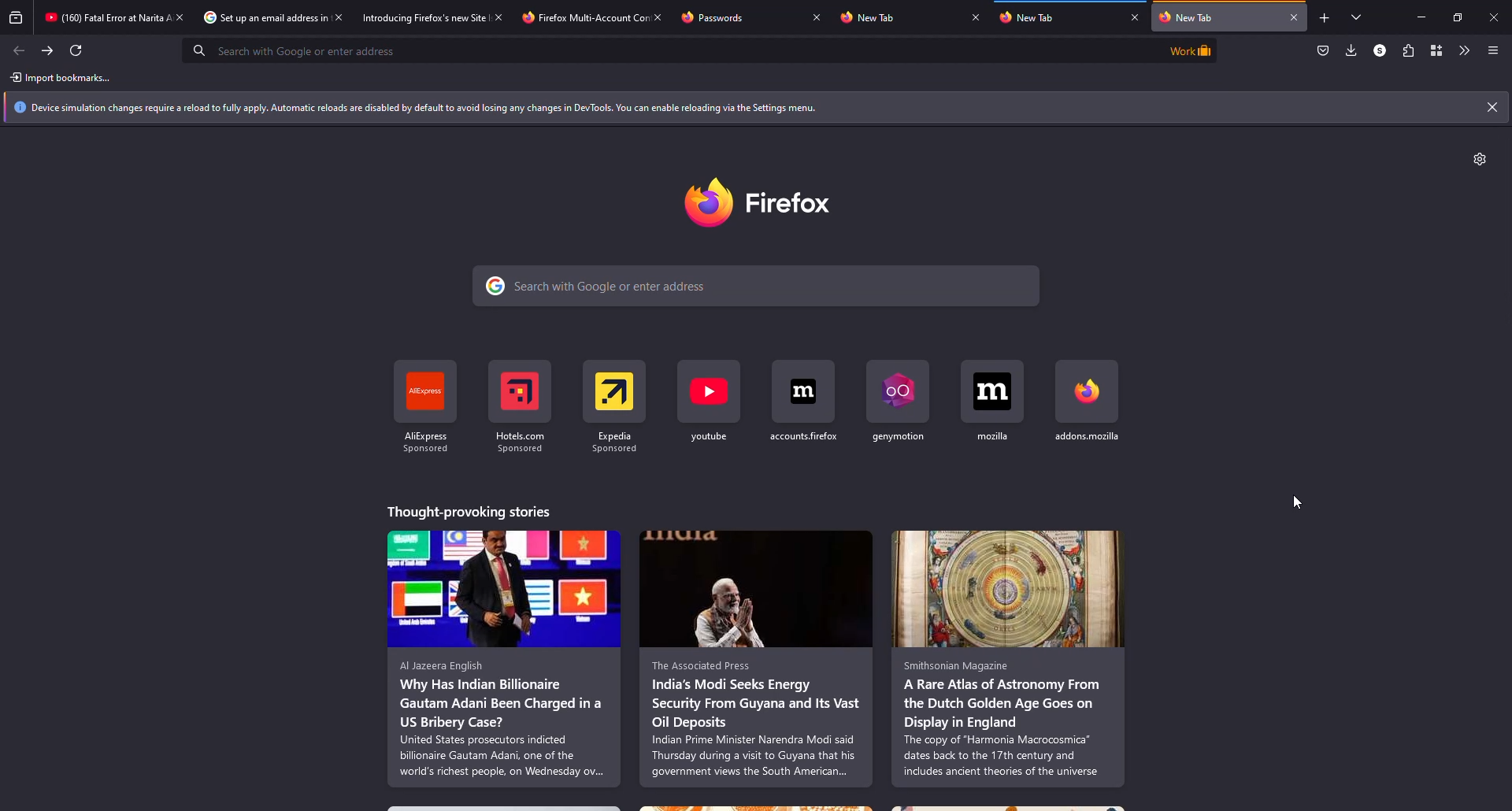 Image resolution: width=1512 pixels, height=811 pixels. I want to click on container, so click(1436, 50).